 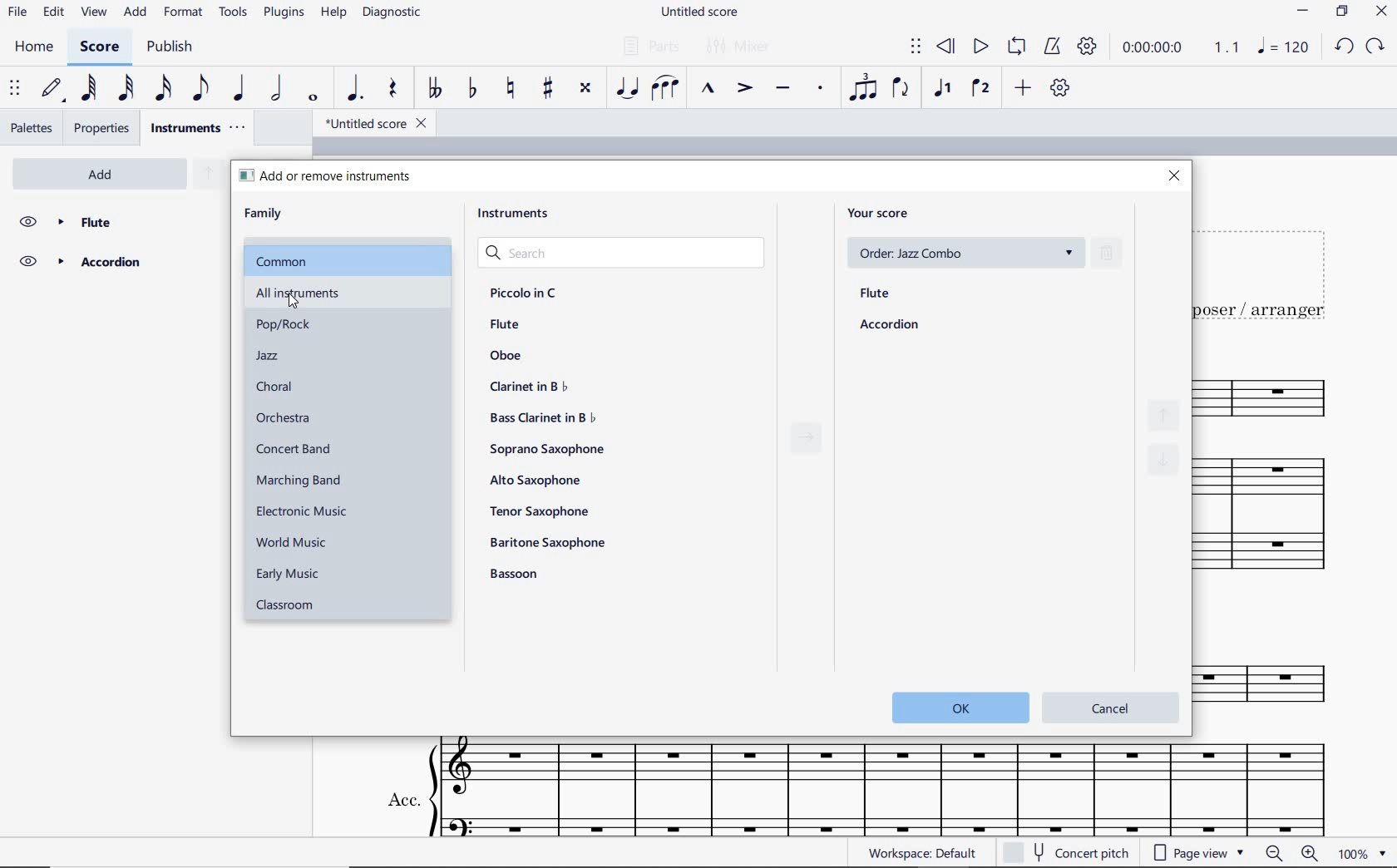 What do you see at coordinates (1017, 47) in the screenshot?
I see `loop playback` at bounding box center [1017, 47].